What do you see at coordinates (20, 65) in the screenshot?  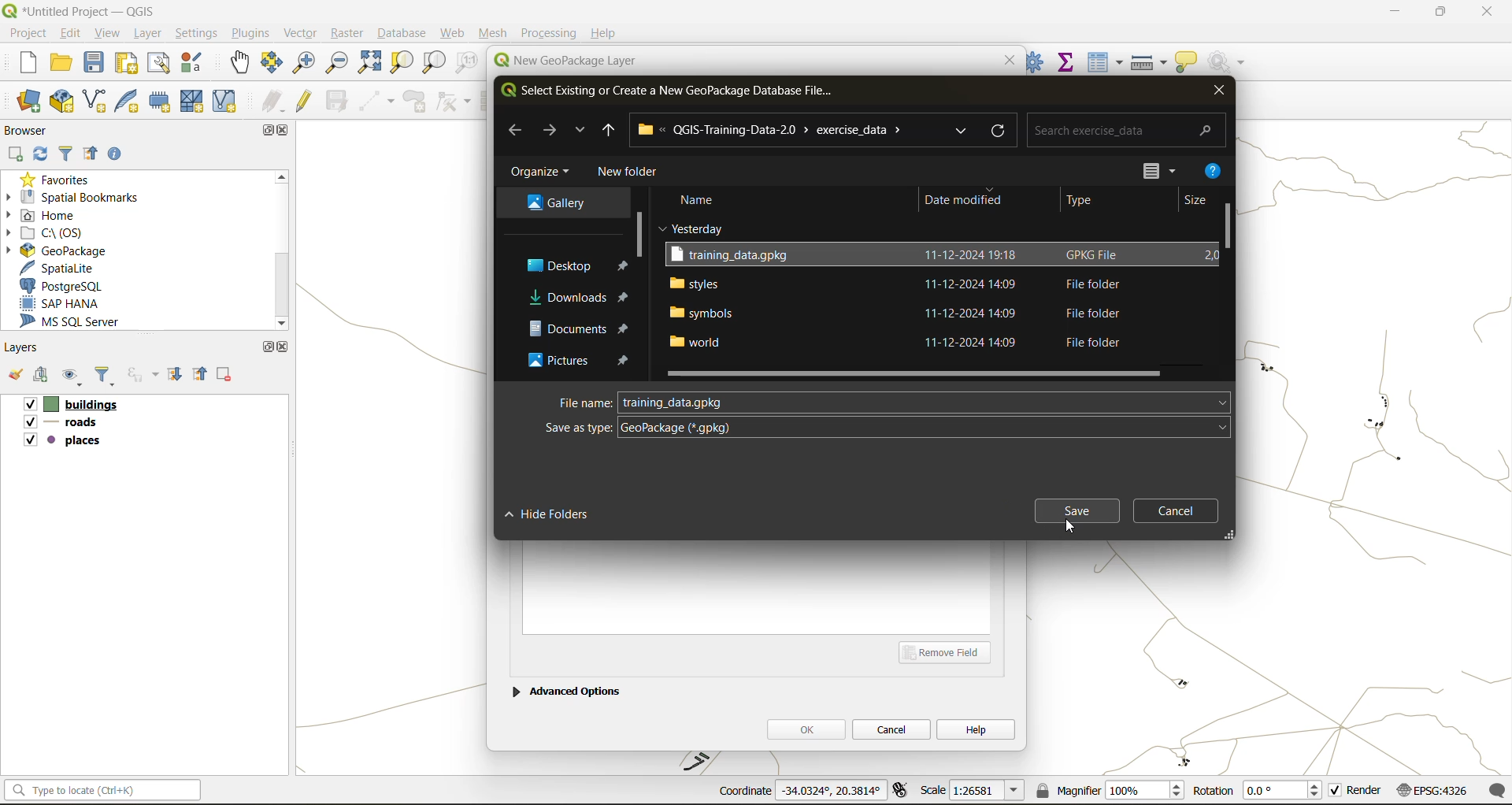 I see `new` at bounding box center [20, 65].